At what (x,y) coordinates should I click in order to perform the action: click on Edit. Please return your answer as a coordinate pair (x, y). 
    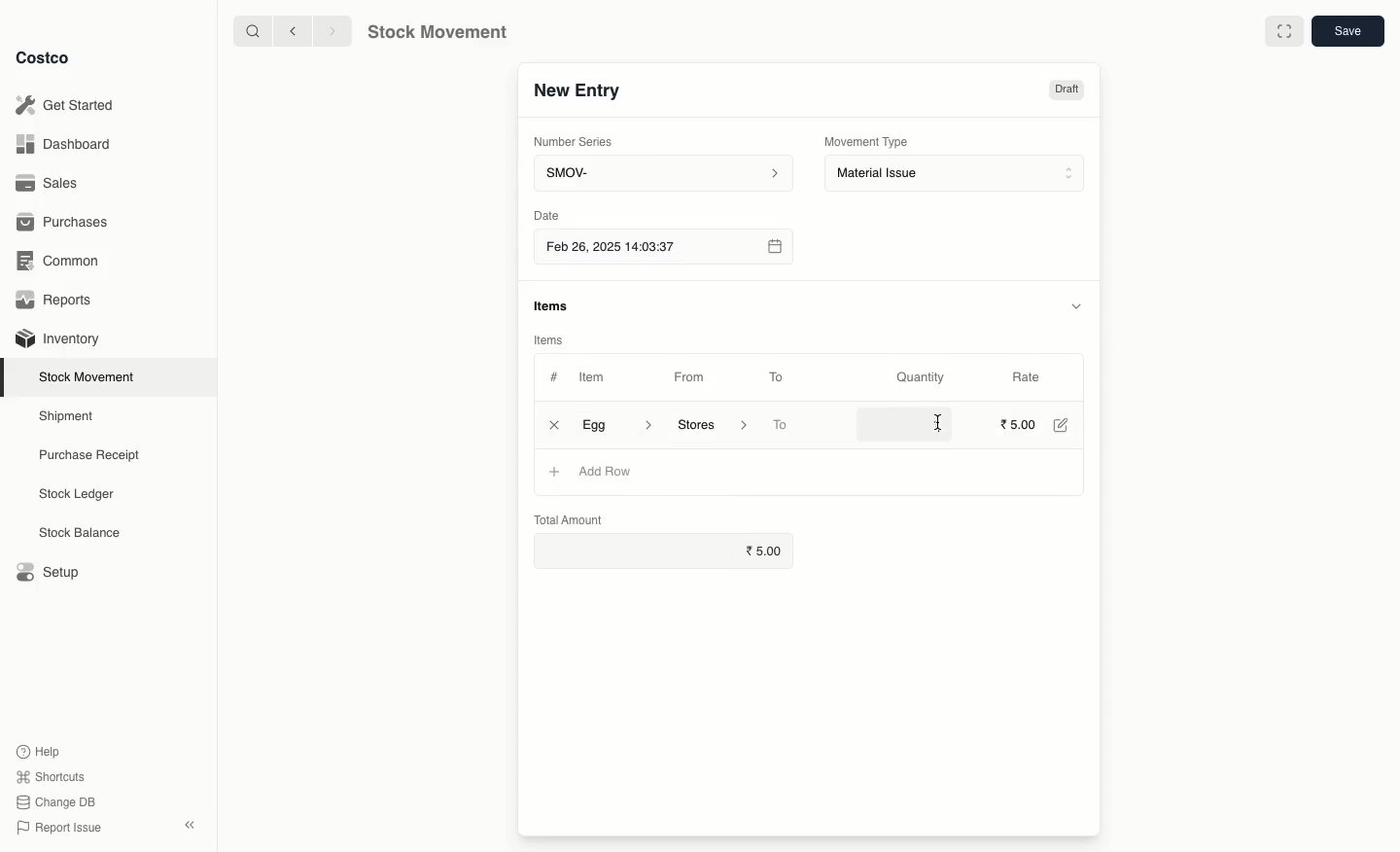
    Looking at the image, I should click on (1066, 427).